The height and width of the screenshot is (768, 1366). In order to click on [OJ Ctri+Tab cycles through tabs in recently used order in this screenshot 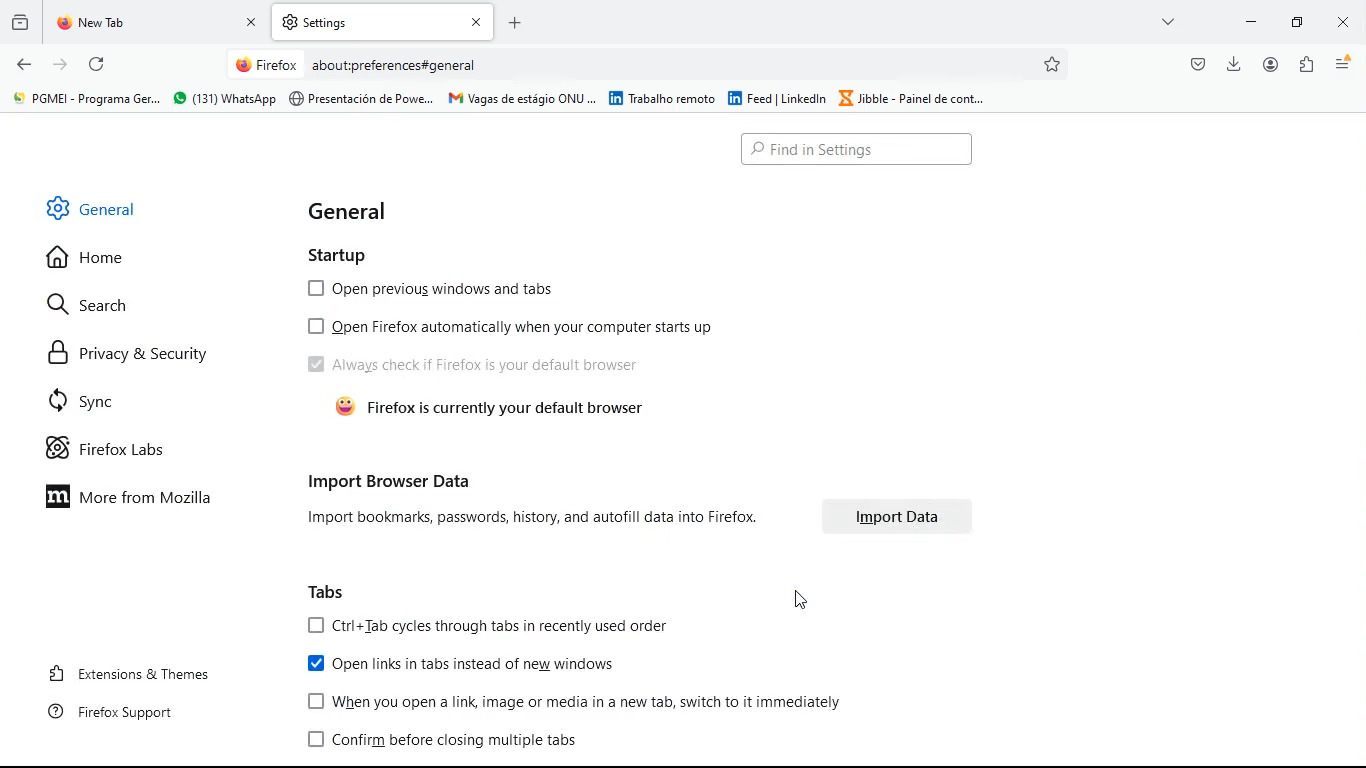, I will do `click(497, 627)`.